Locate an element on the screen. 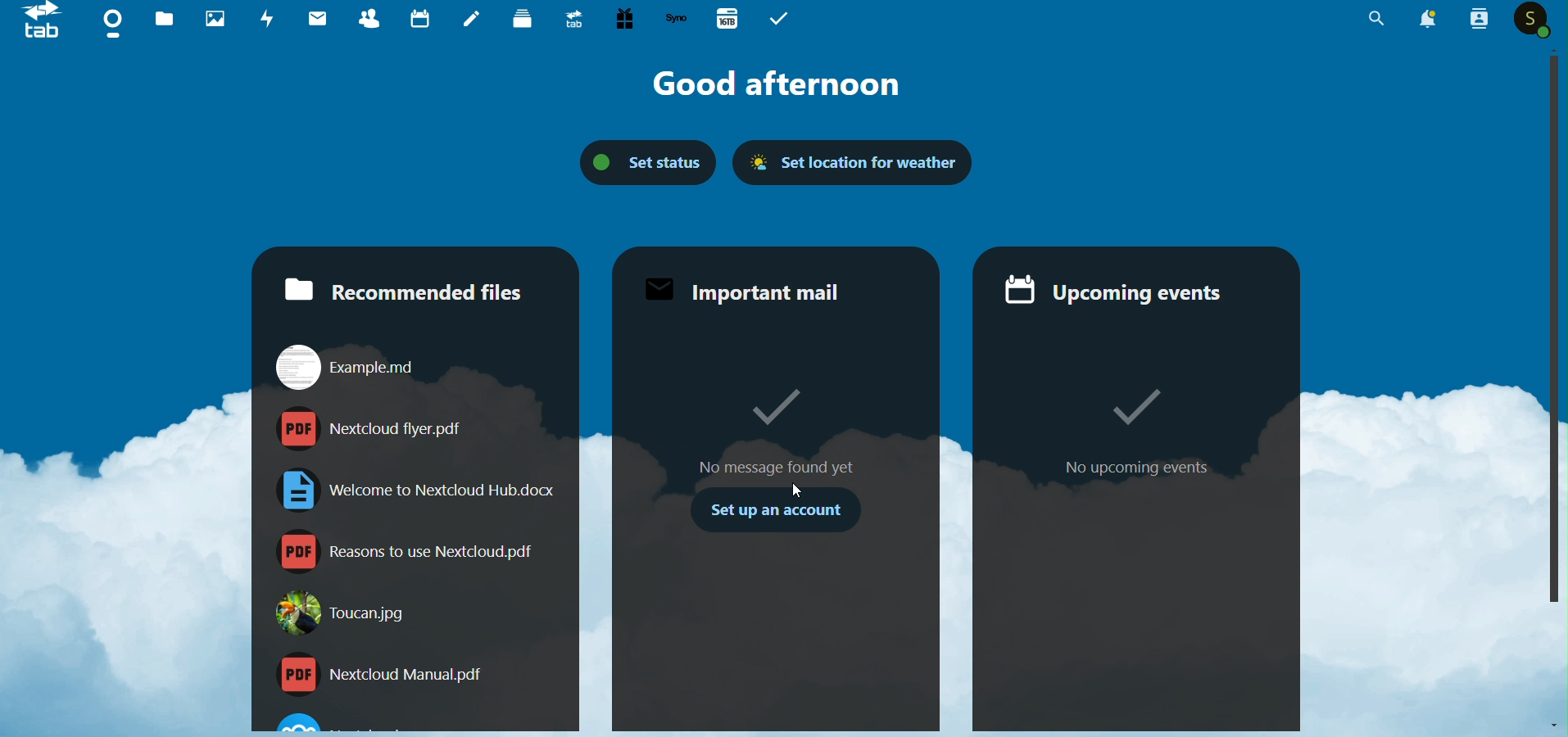 This screenshot has height=737, width=1568. Files is located at coordinates (156, 20).